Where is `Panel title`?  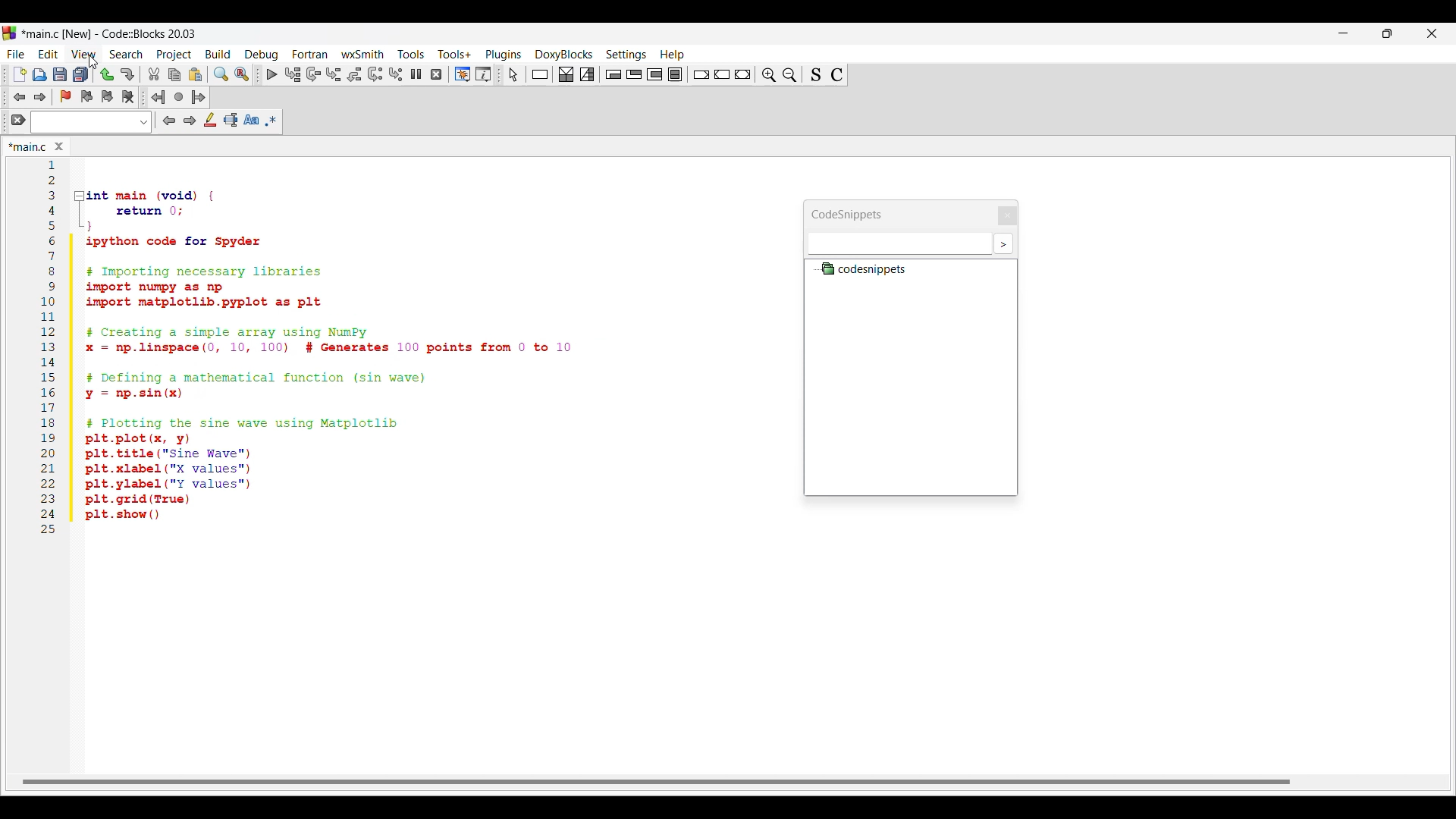
Panel title is located at coordinates (852, 211).